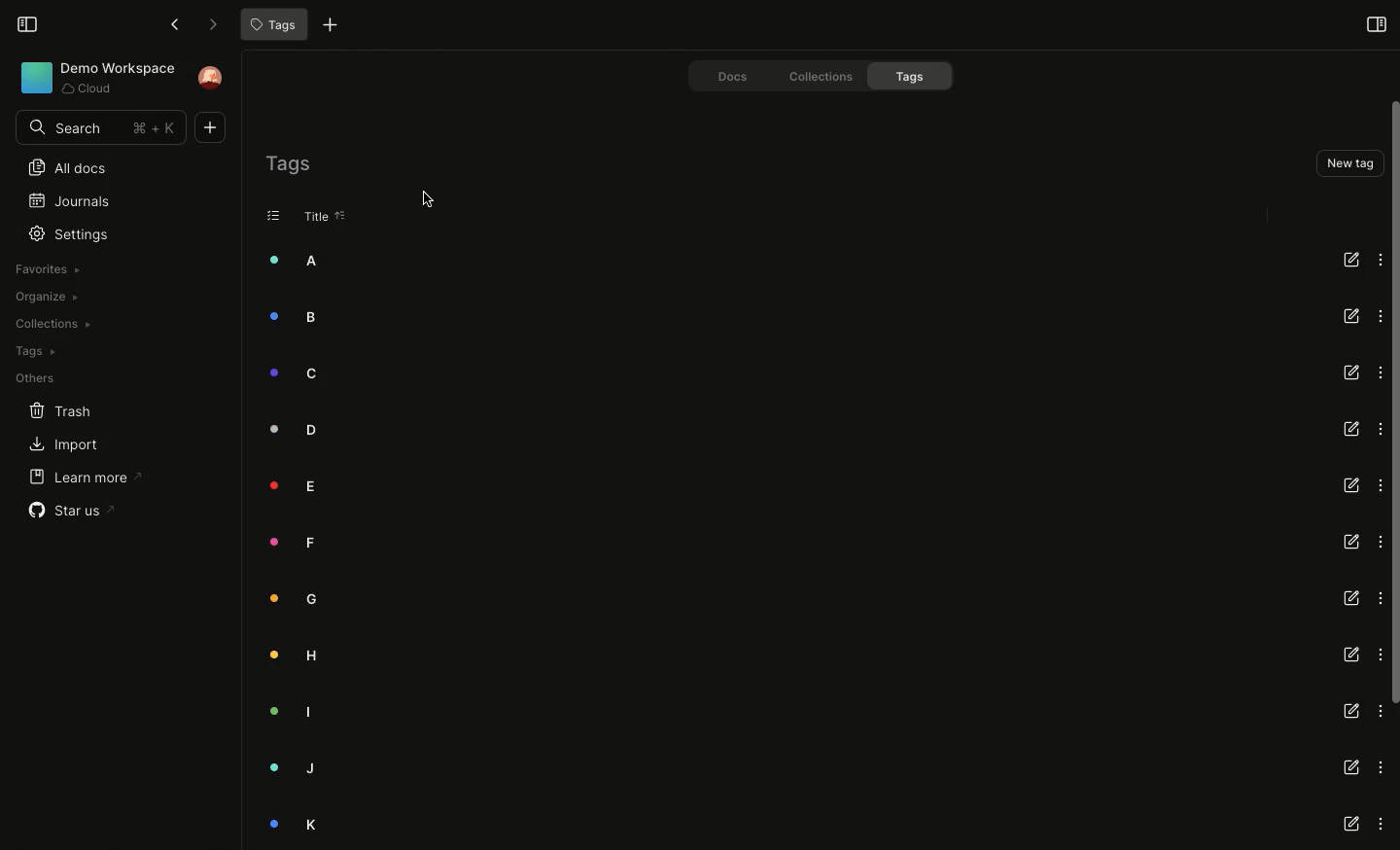  What do you see at coordinates (1351, 597) in the screenshot?
I see `Rename` at bounding box center [1351, 597].